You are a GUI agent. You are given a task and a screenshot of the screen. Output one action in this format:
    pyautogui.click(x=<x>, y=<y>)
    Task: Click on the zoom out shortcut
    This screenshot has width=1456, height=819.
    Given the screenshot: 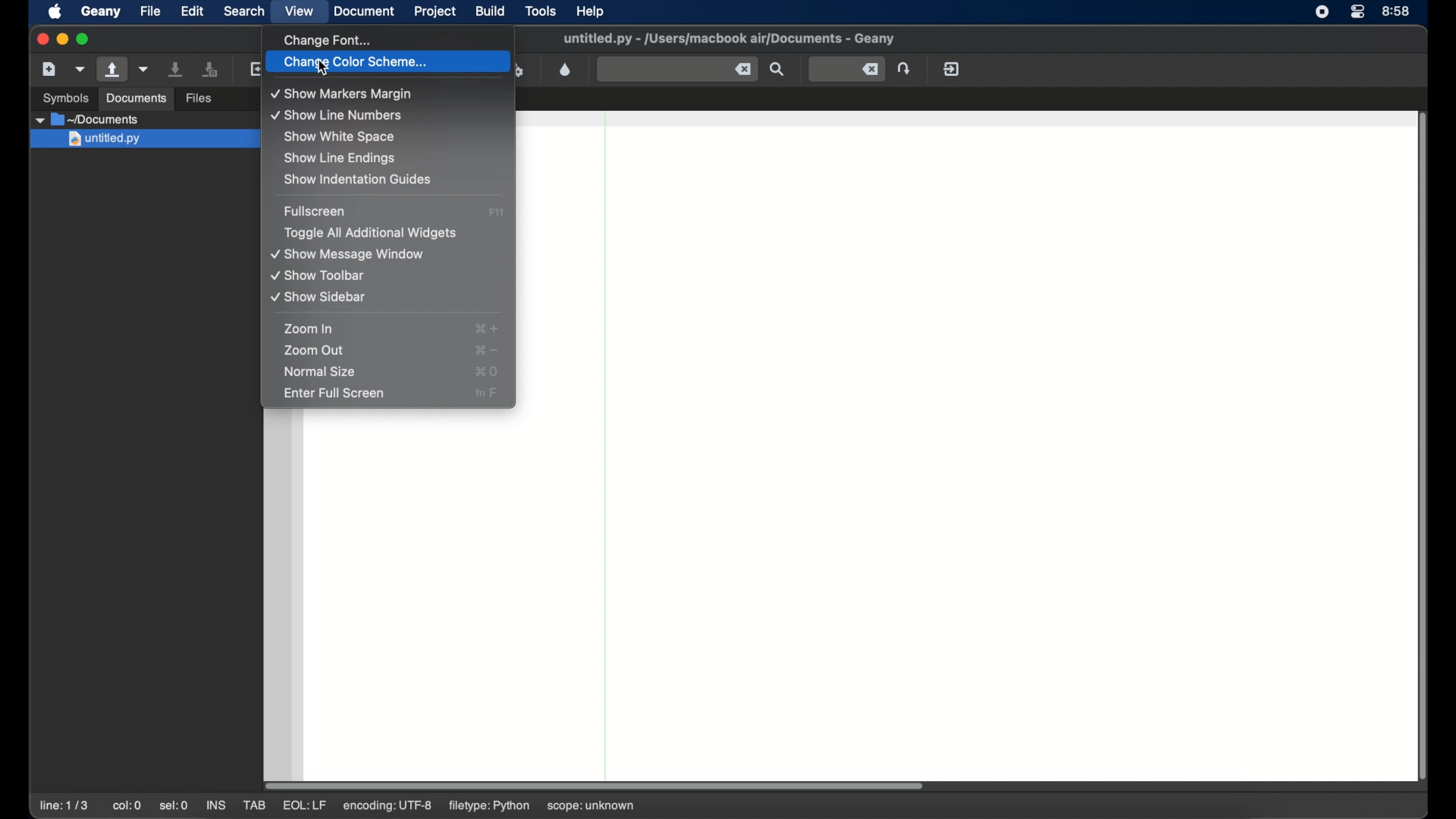 What is the action you would take?
    pyautogui.click(x=488, y=350)
    